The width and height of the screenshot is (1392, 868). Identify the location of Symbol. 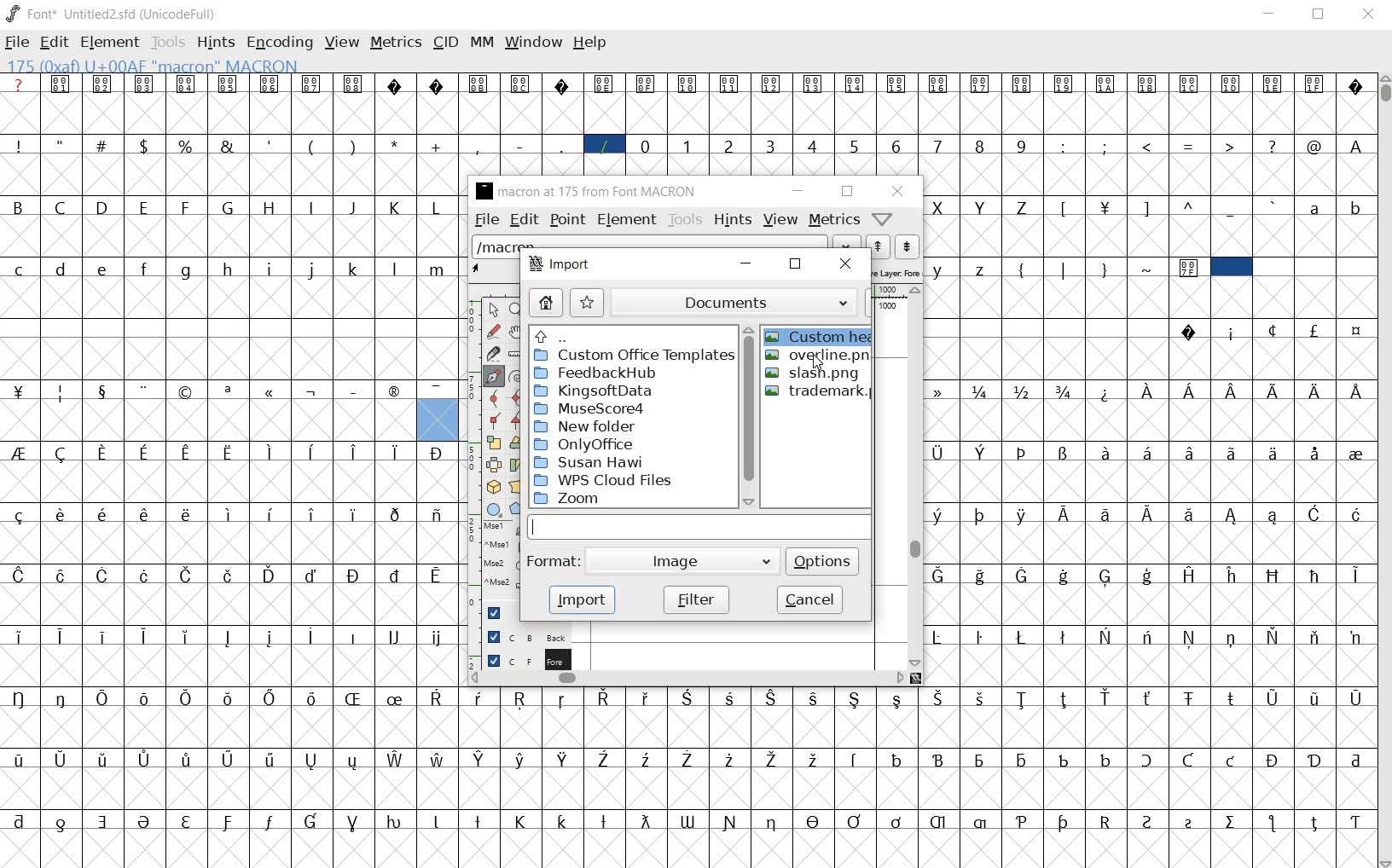
(1106, 758).